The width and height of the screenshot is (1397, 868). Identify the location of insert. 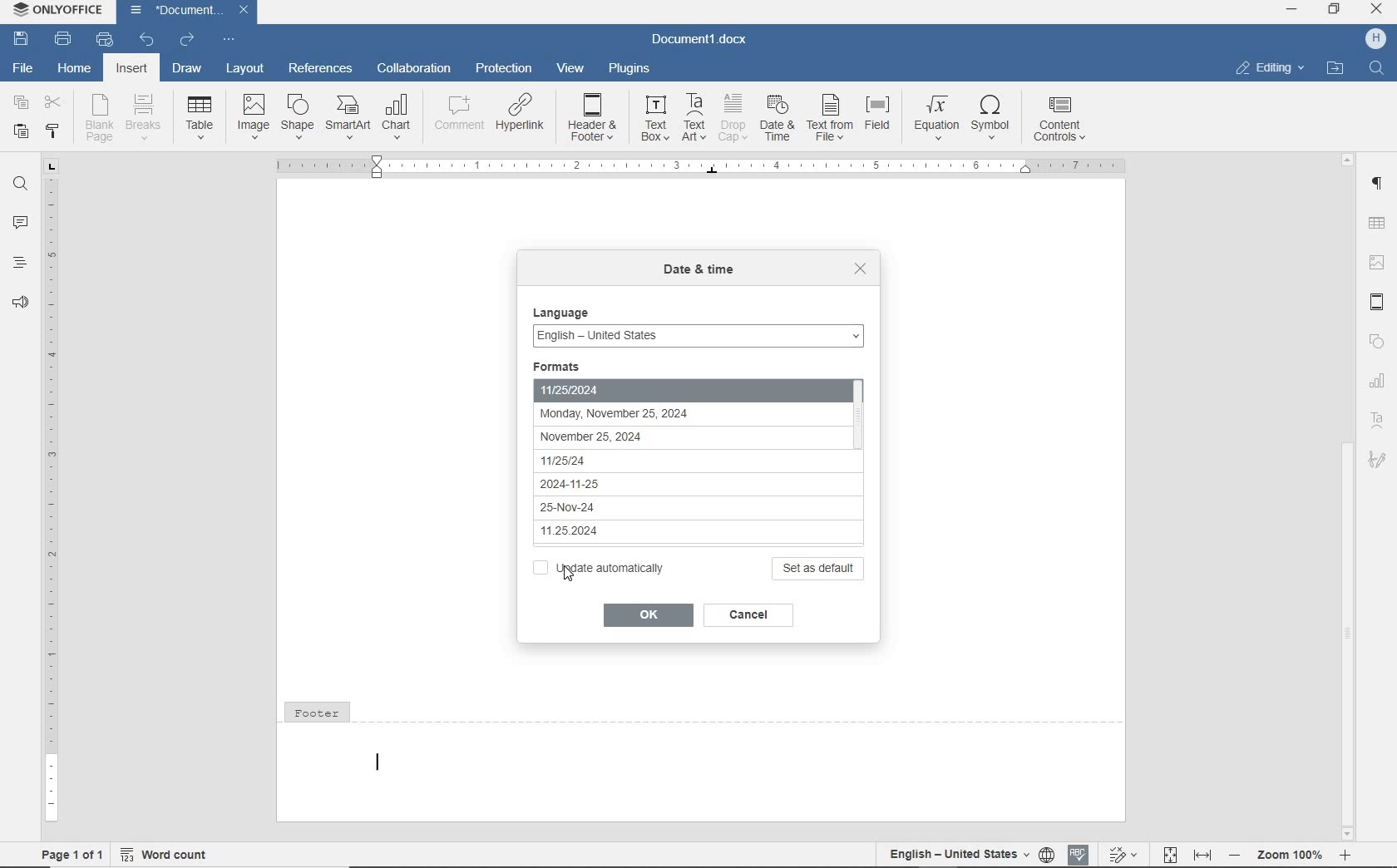
(132, 68).